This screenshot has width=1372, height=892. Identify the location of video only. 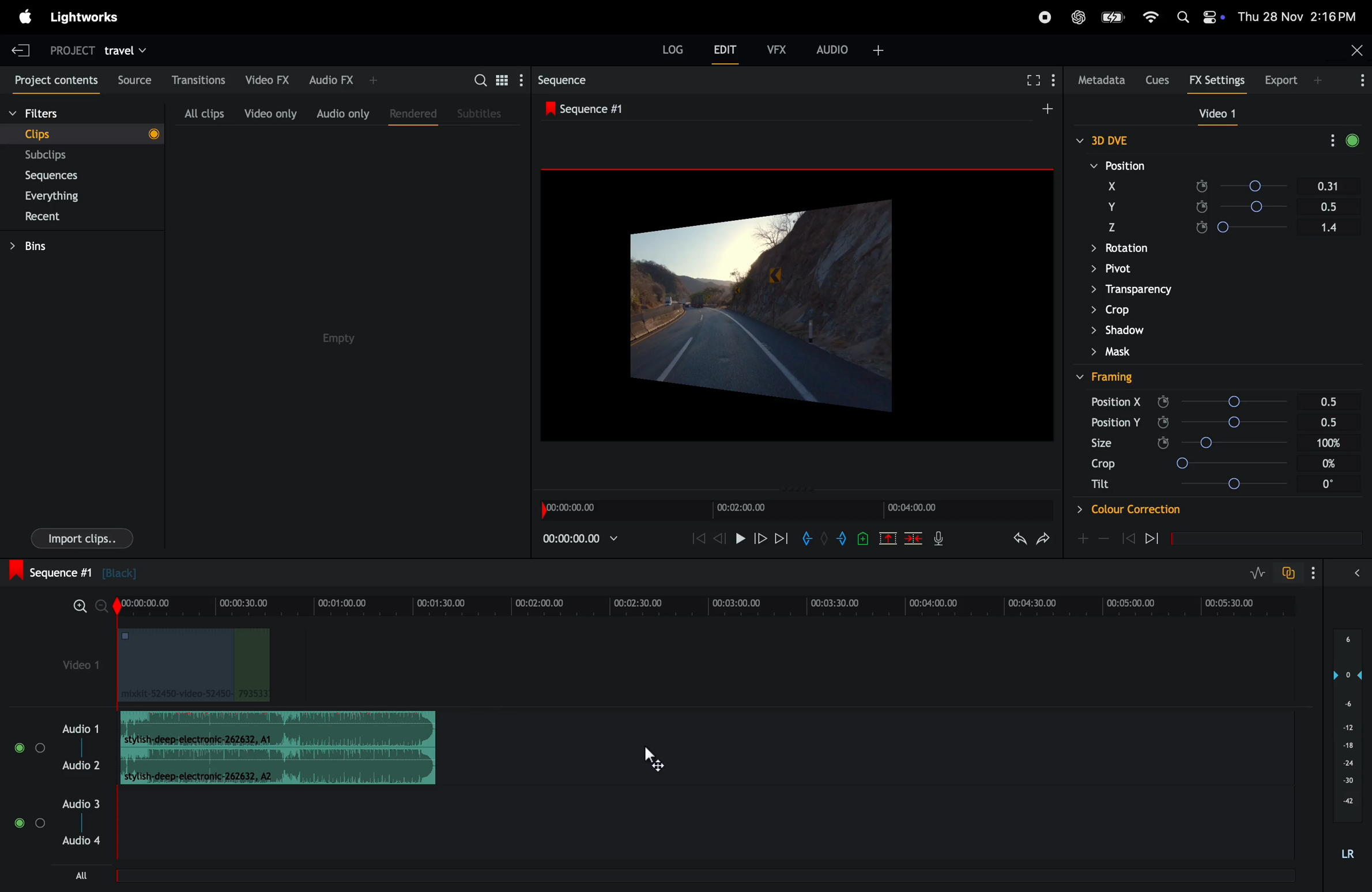
(268, 113).